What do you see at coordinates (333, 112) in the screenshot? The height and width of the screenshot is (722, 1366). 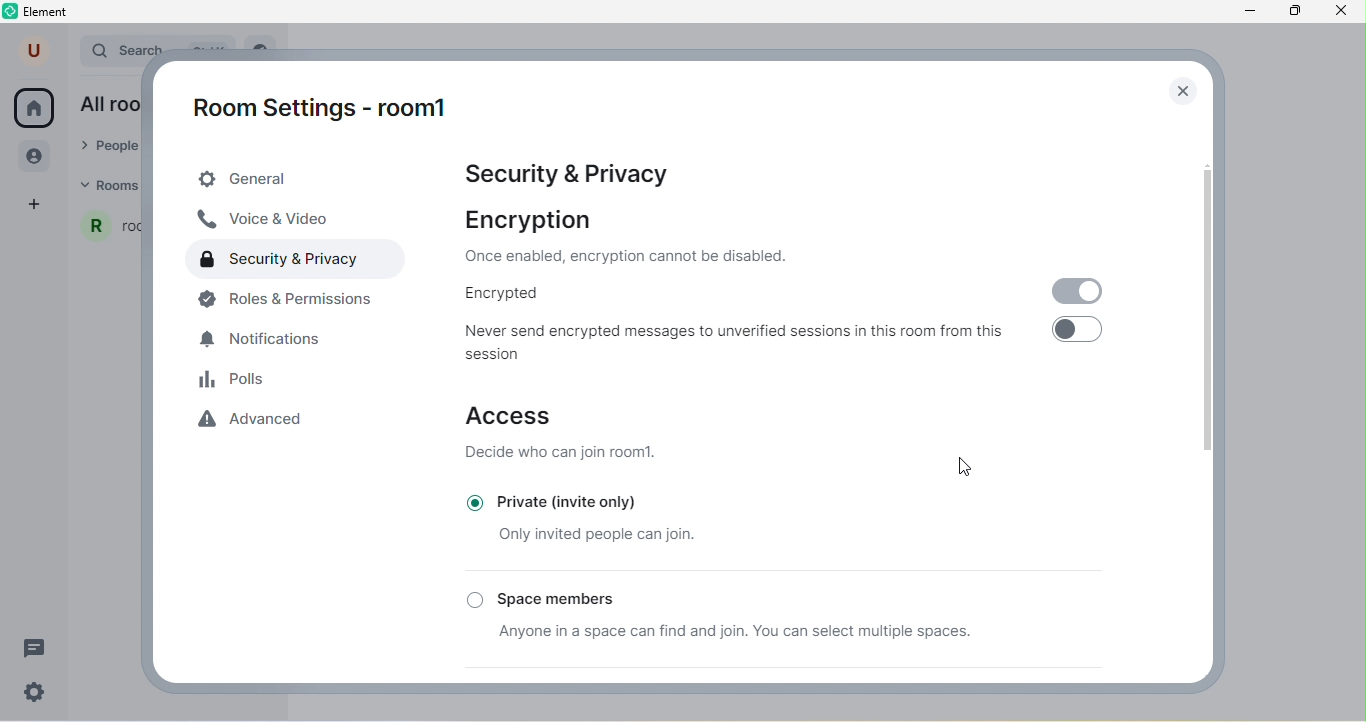 I see `room1 settings` at bounding box center [333, 112].